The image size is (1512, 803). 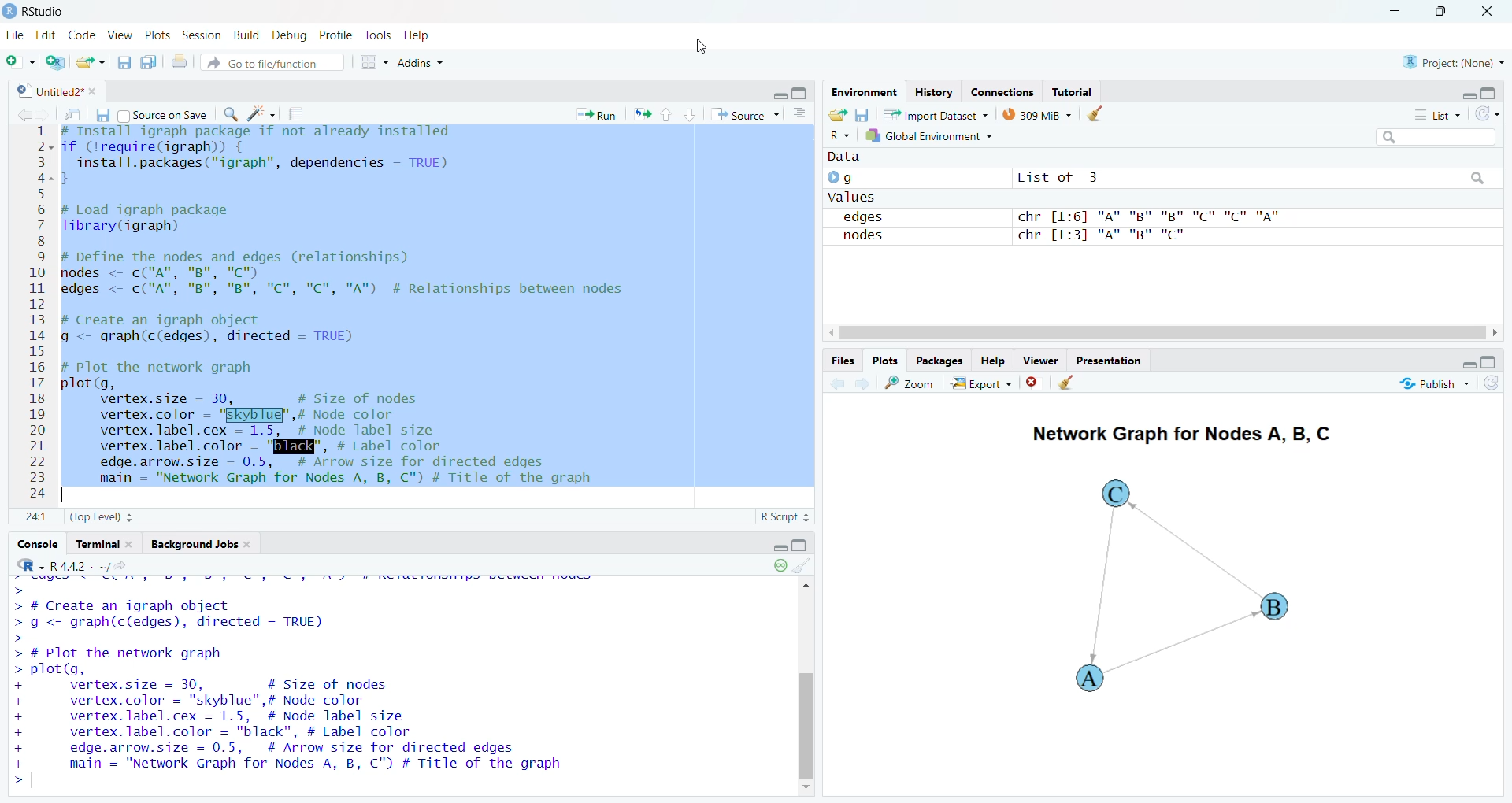 What do you see at coordinates (167, 116) in the screenshot?
I see `Source on Save` at bounding box center [167, 116].